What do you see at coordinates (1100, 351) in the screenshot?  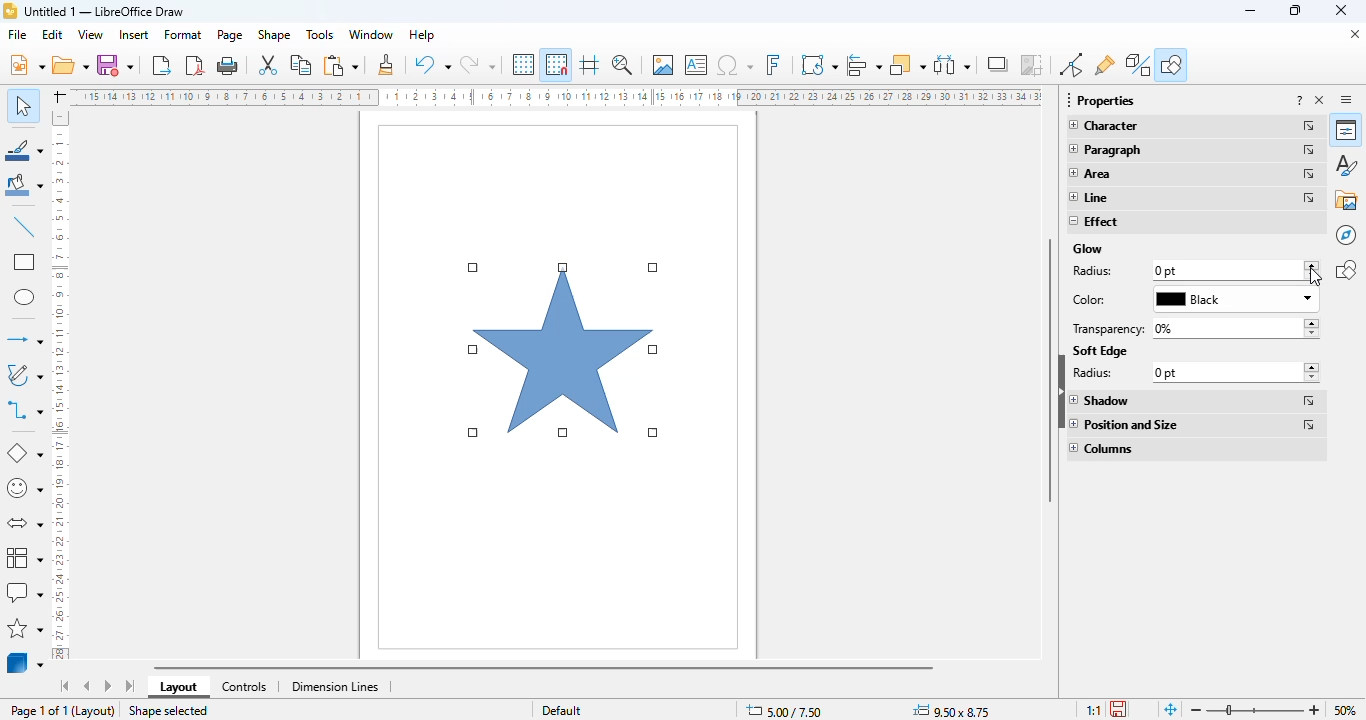 I see `soft edge` at bounding box center [1100, 351].